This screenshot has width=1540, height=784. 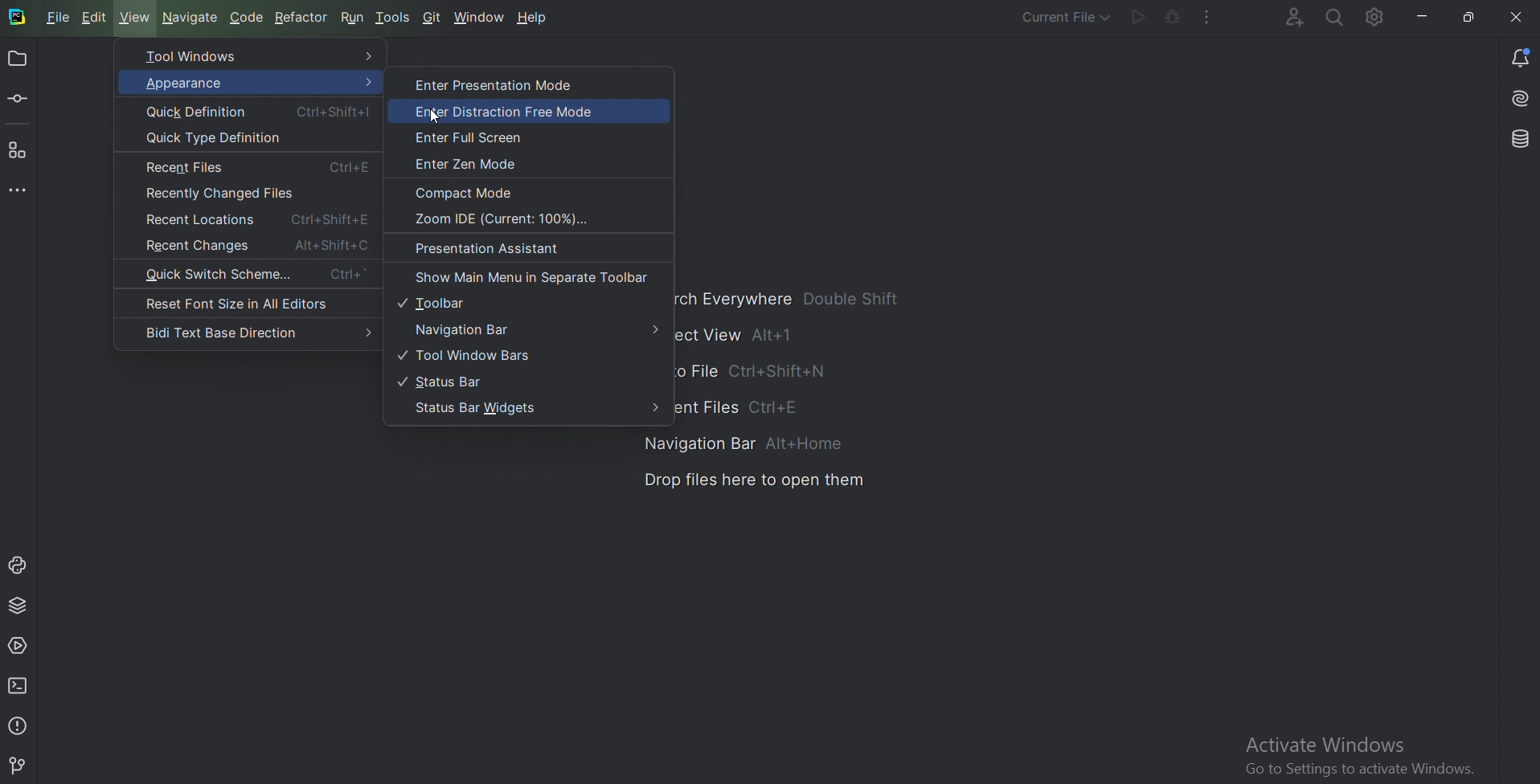 I want to click on Database, so click(x=1518, y=140).